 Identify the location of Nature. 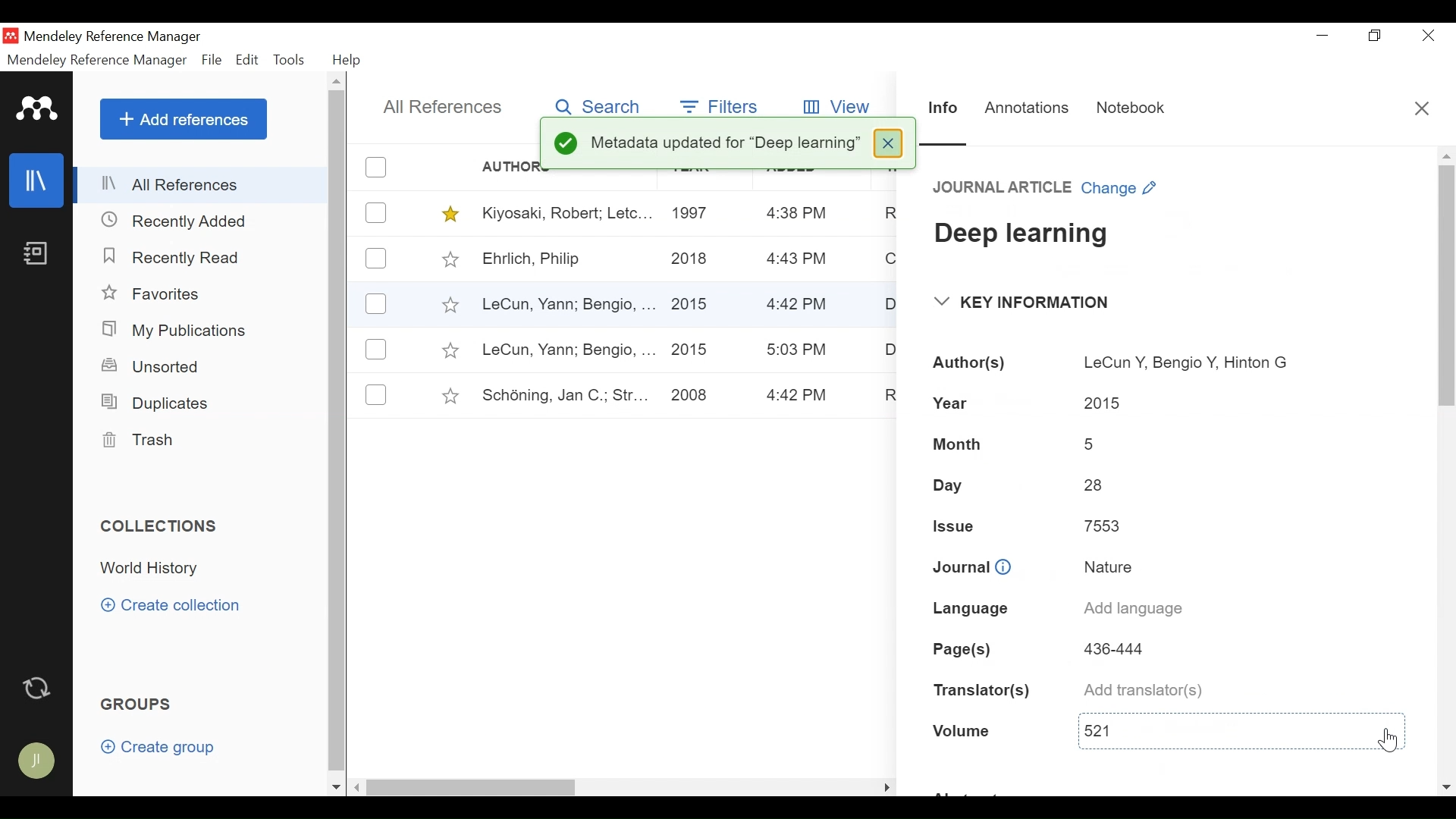
(1106, 564).